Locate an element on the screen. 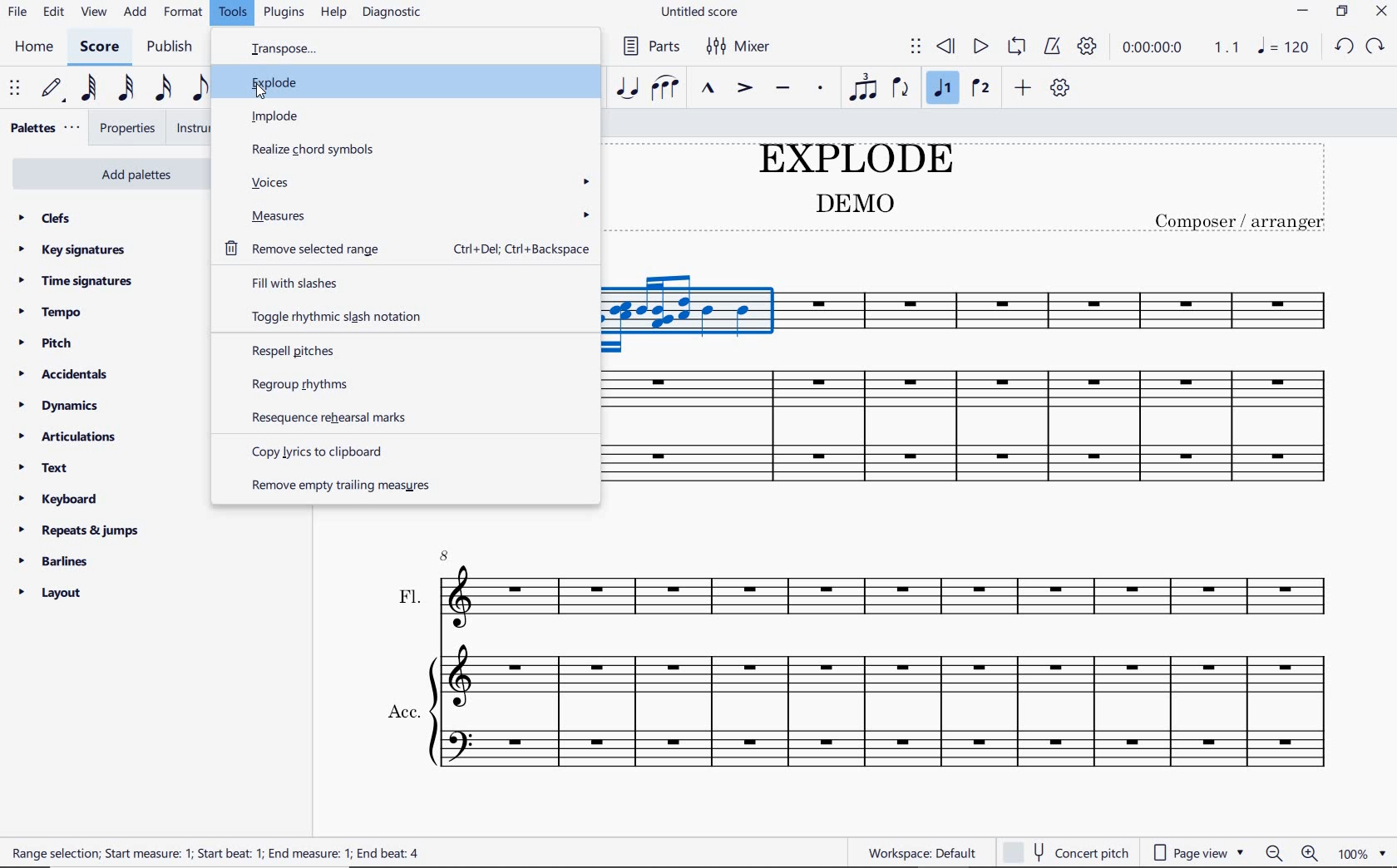  keyboard is located at coordinates (58, 500).